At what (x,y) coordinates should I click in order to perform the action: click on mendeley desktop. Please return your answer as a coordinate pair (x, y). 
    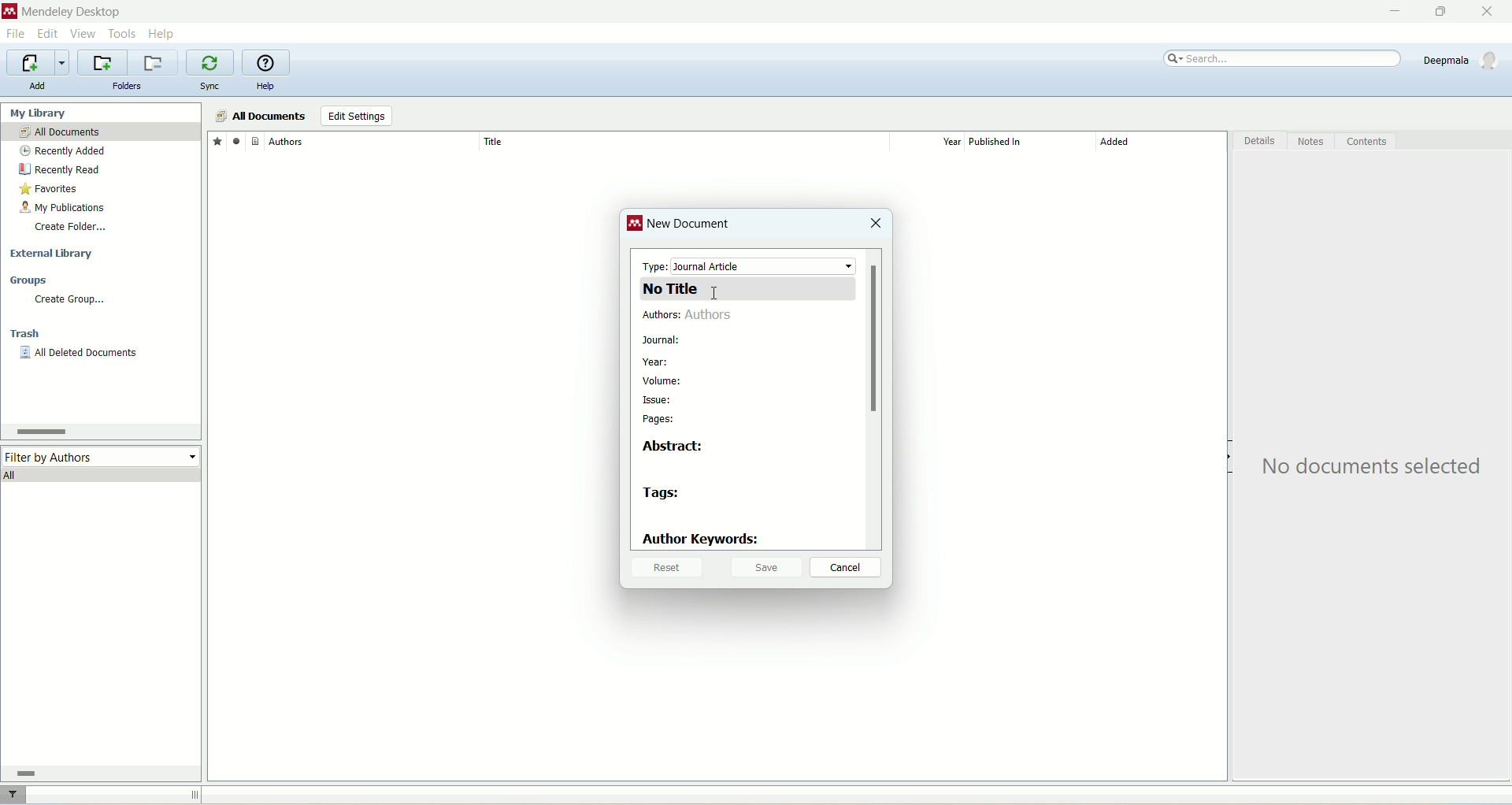
    Looking at the image, I should click on (69, 13).